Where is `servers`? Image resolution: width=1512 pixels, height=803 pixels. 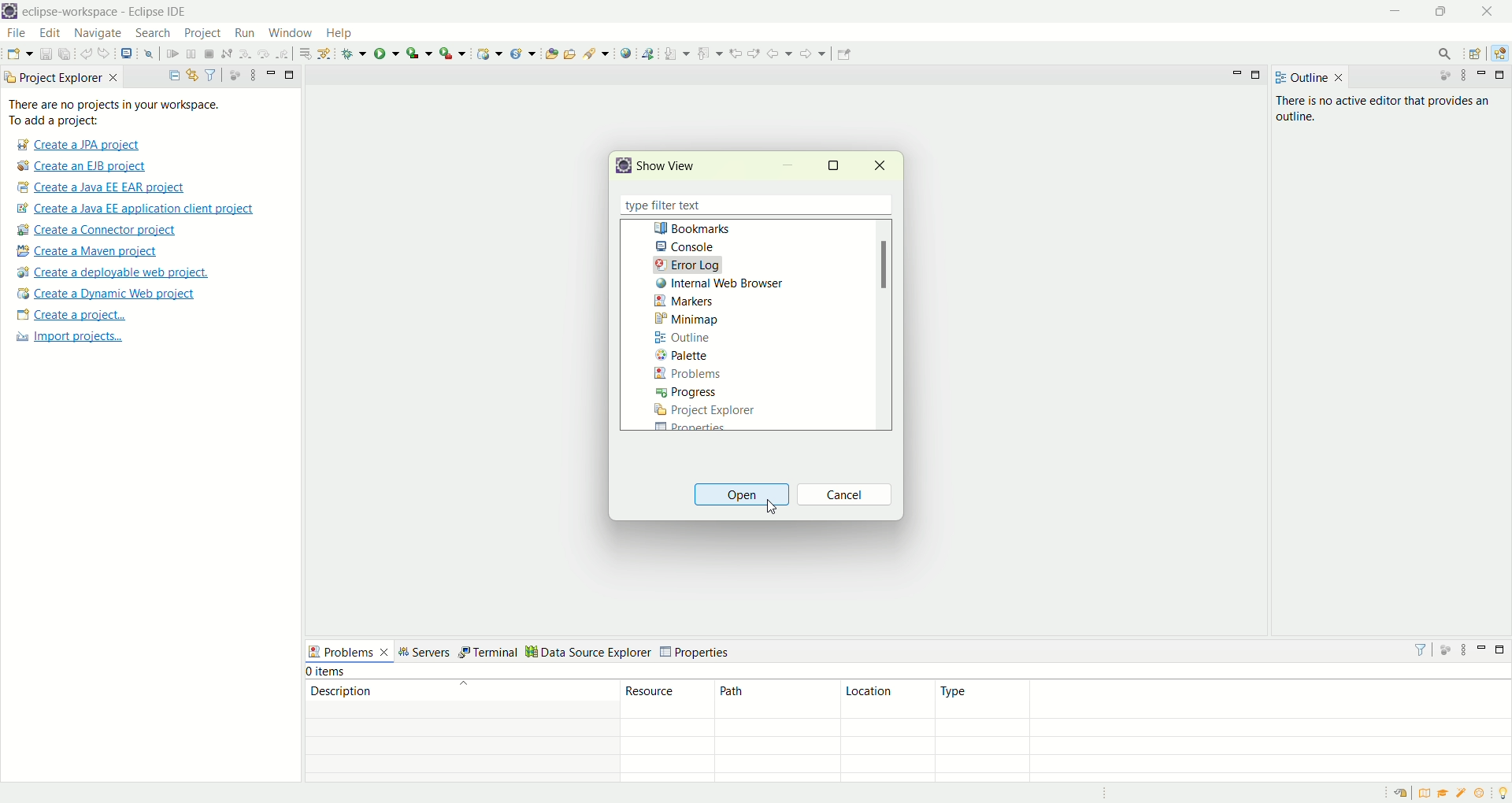 servers is located at coordinates (424, 651).